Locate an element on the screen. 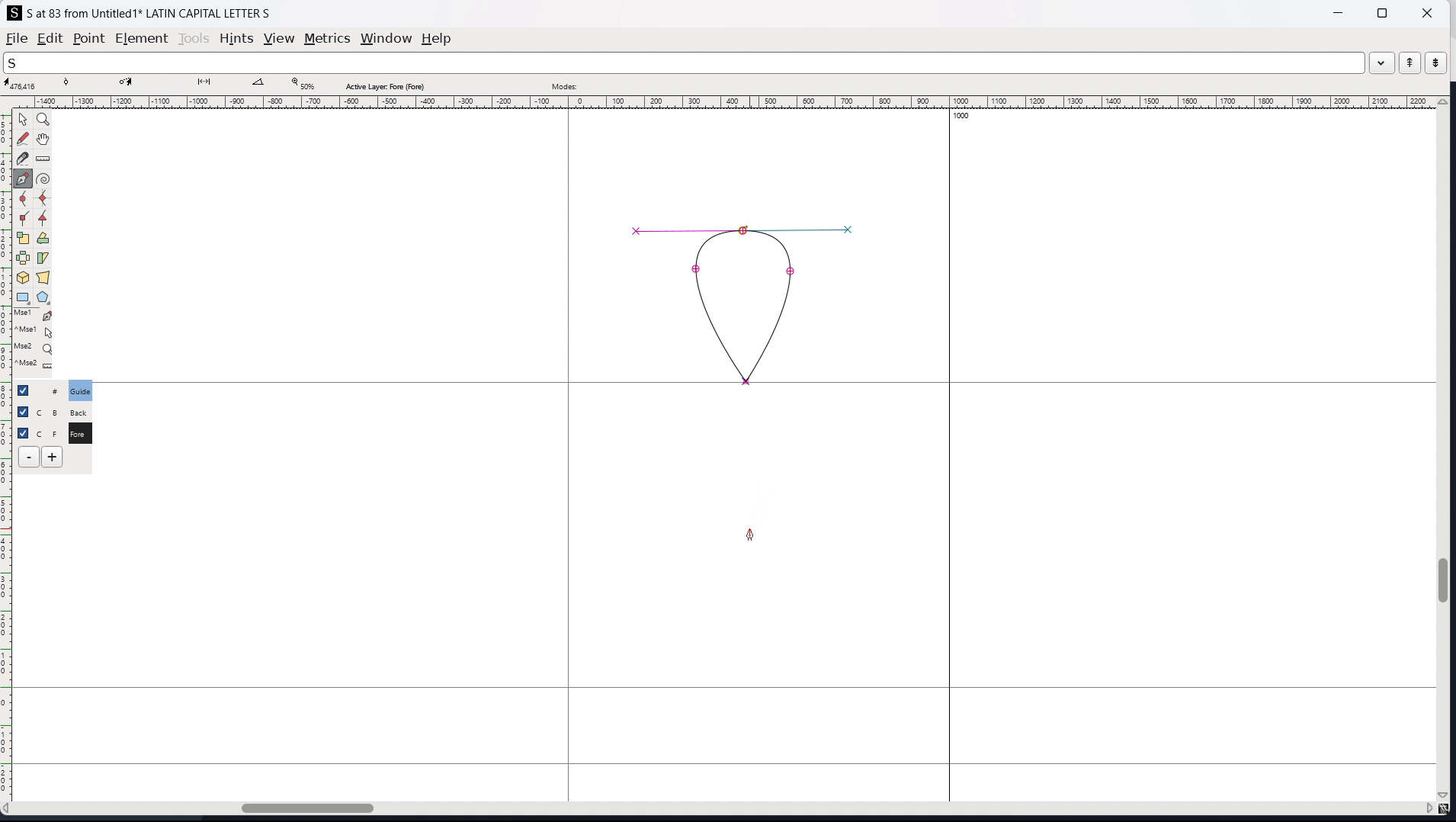 The height and width of the screenshot is (822, 1456). cut splines in two is located at coordinates (23, 159).